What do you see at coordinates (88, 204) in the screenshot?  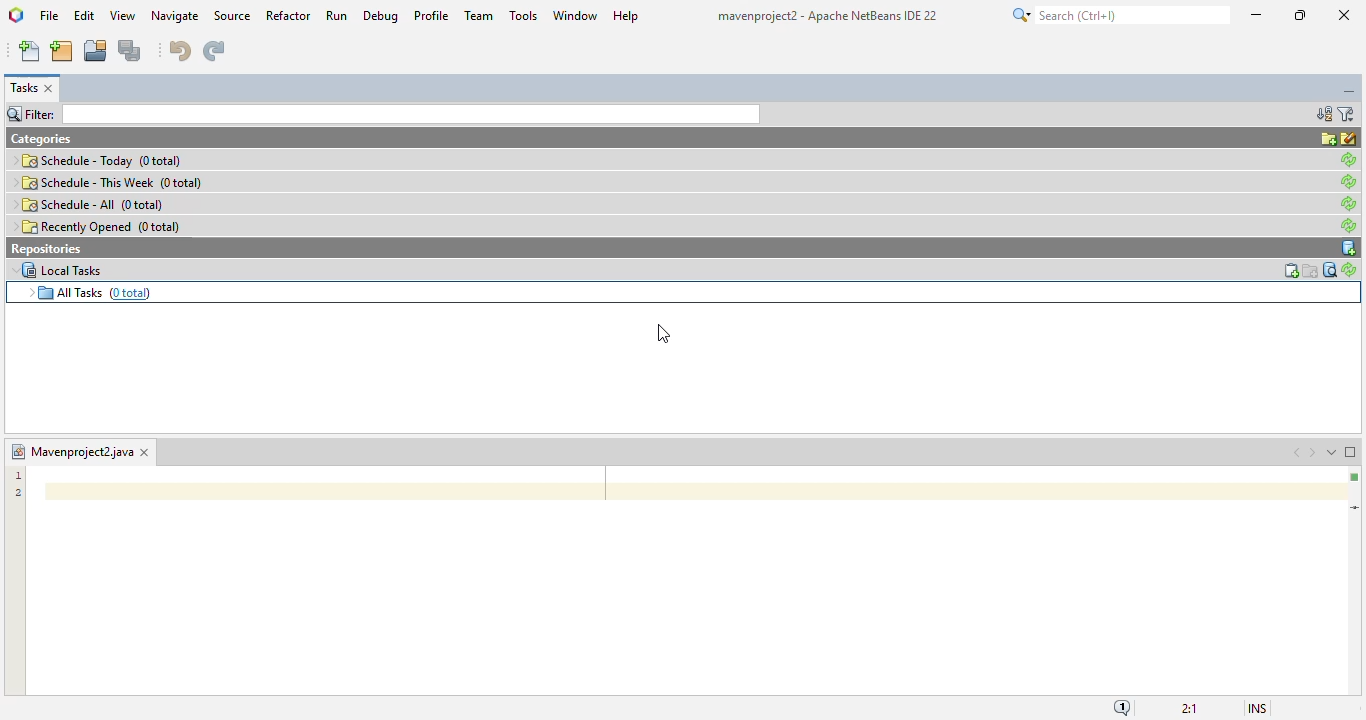 I see `schedule - all (0 total)` at bounding box center [88, 204].